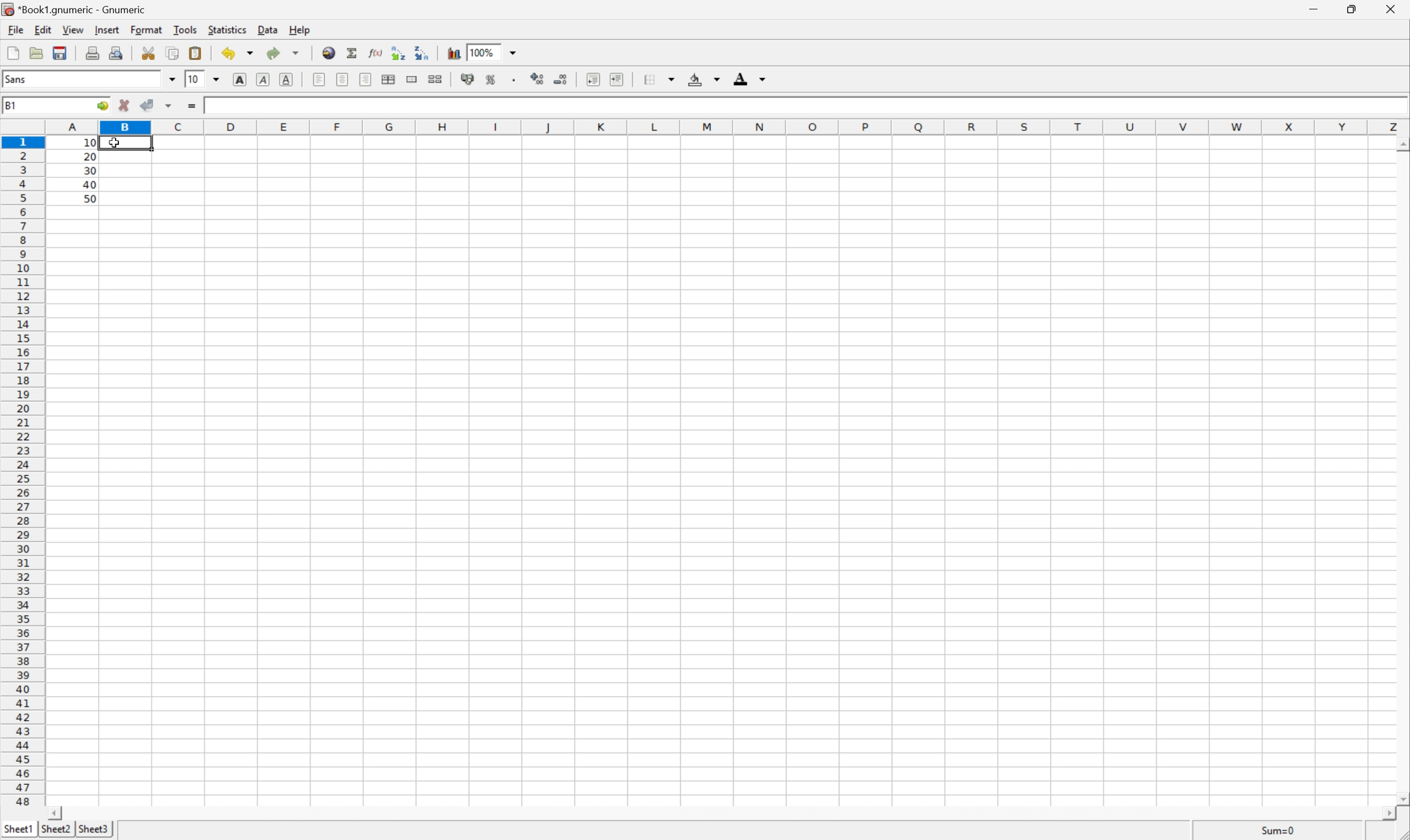  I want to click on Restore Down, so click(1354, 8).